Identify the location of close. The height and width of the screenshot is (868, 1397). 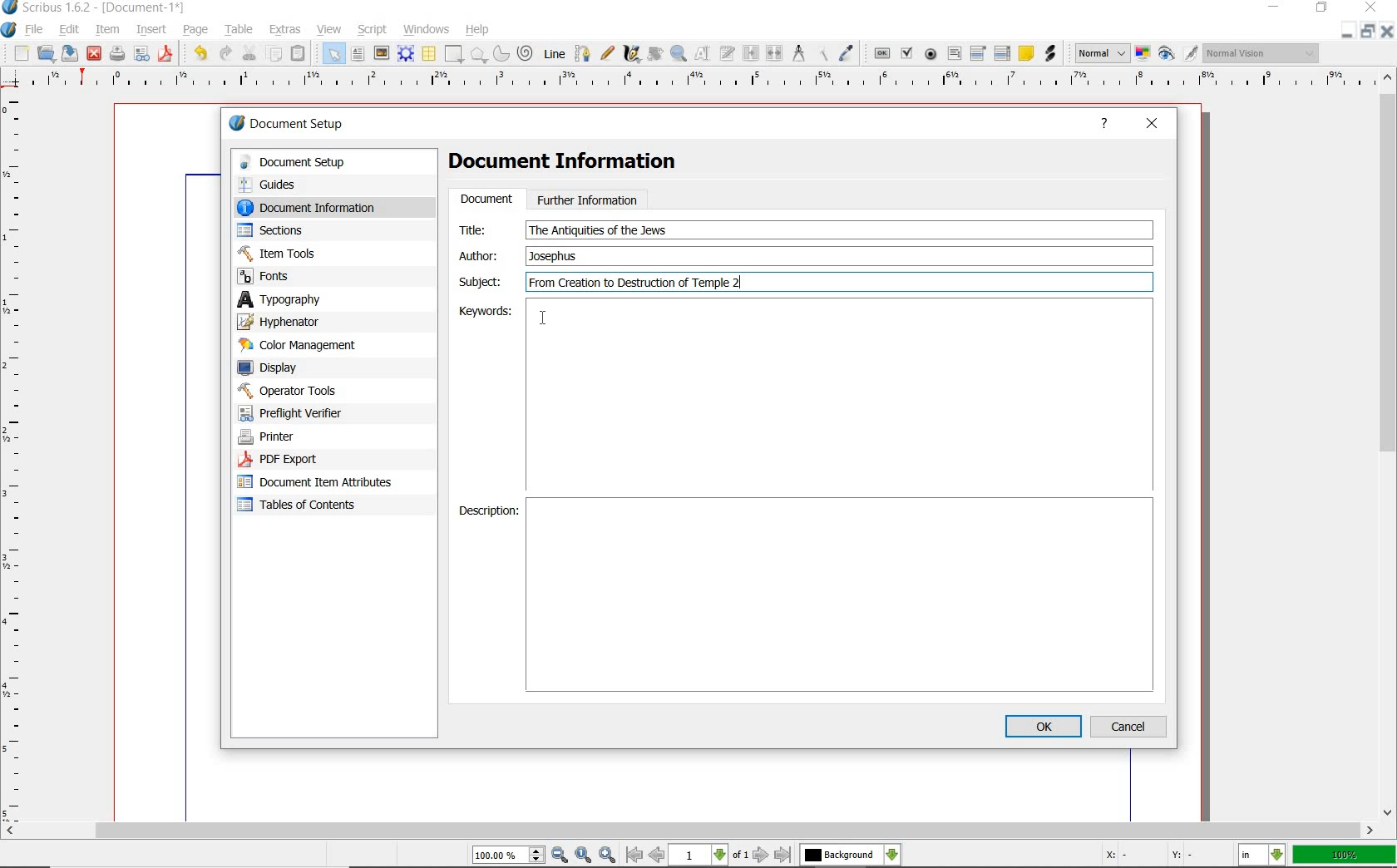
(1153, 125).